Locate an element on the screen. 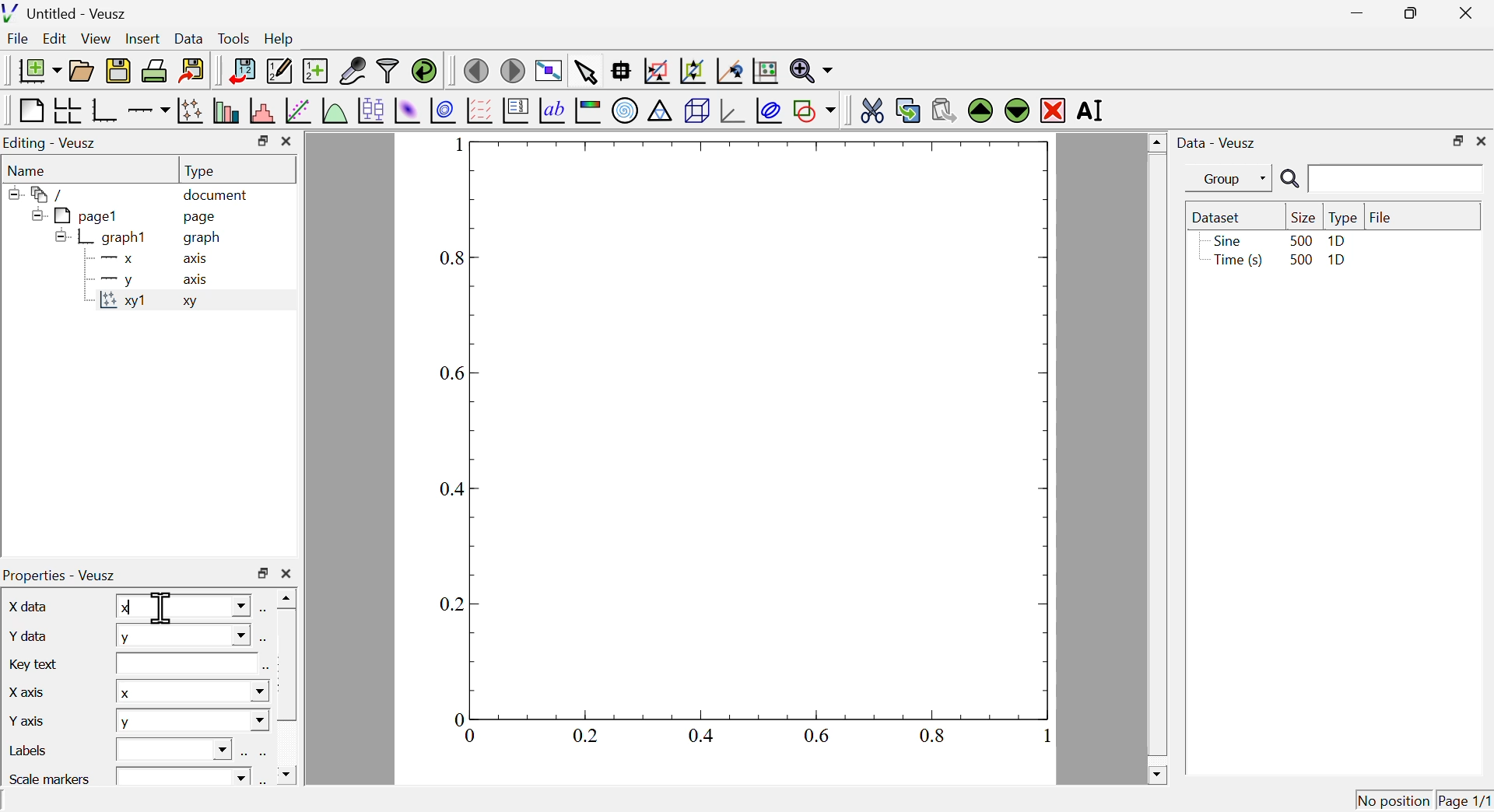  0 is located at coordinates (472, 737).